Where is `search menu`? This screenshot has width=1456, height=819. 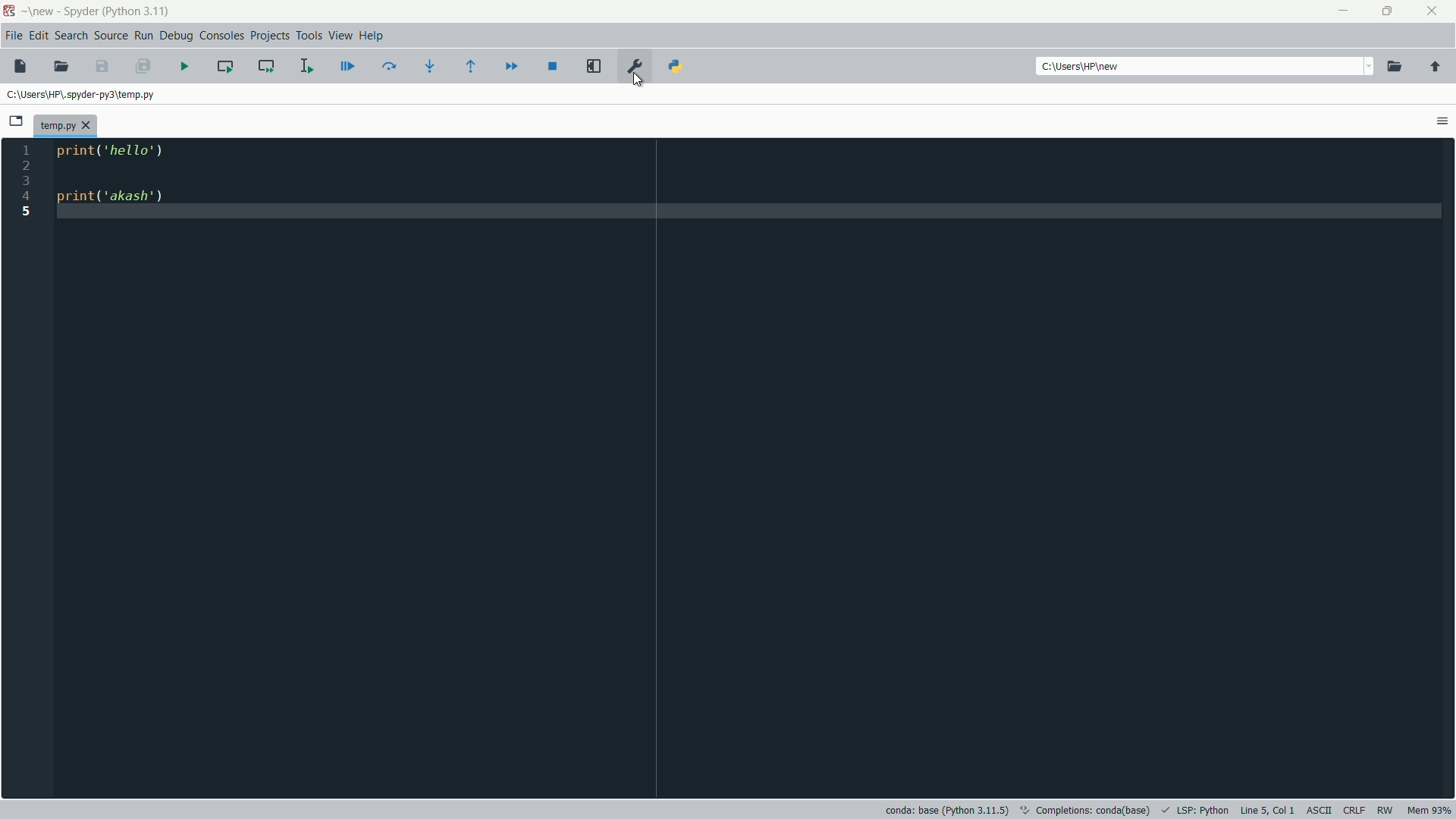 search menu is located at coordinates (71, 35).